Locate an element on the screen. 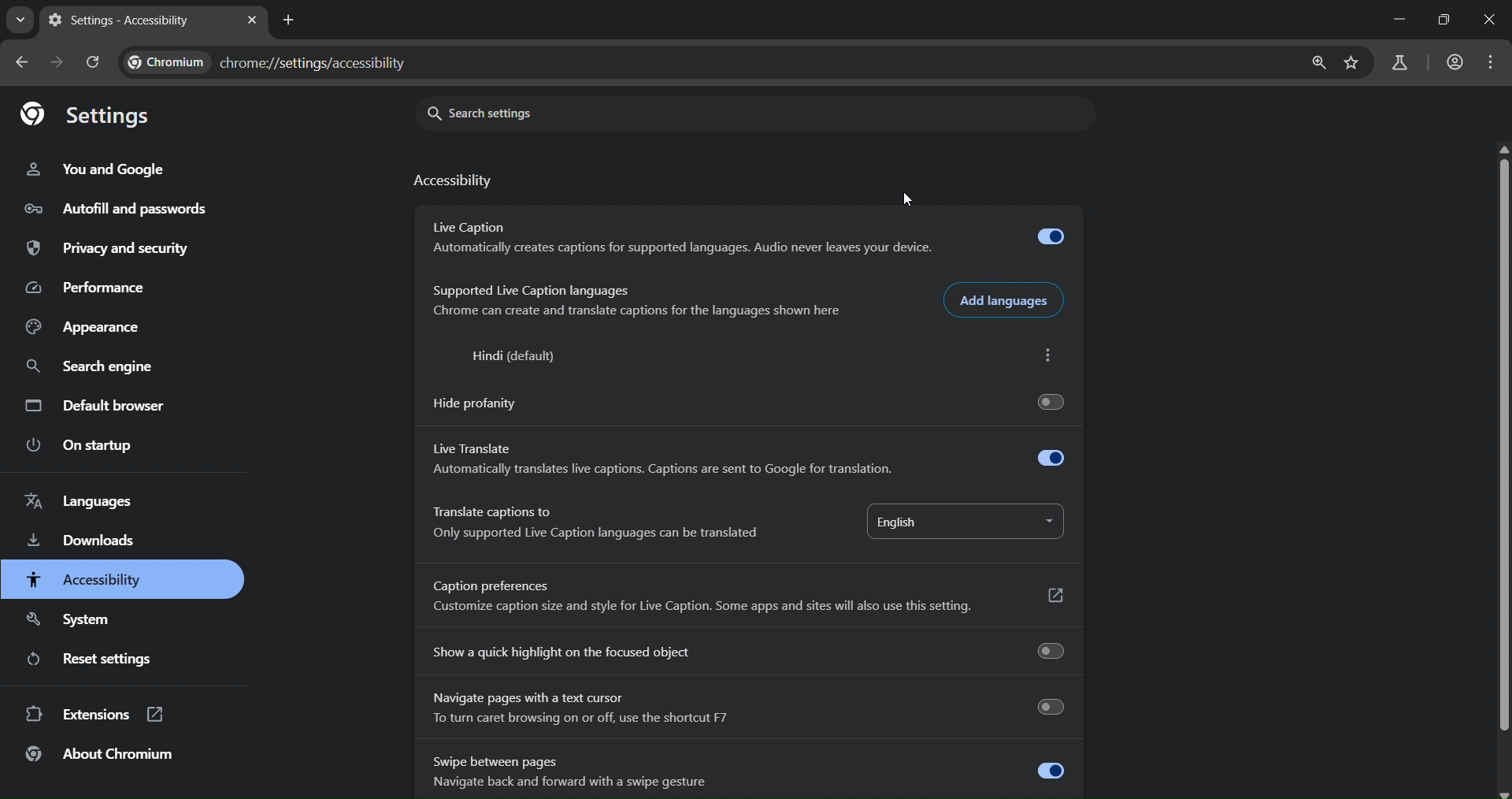 This screenshot has width=1512, height=799. chrome://settings/accessibility is located at coordinates (316, 63).